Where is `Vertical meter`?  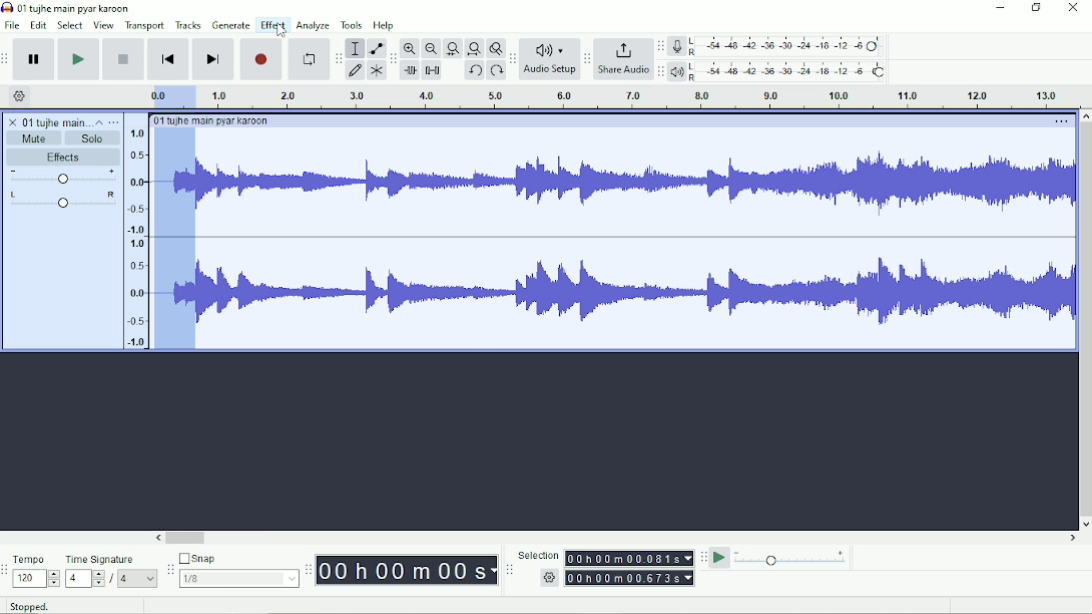
Vertical meter is located at coordinates (133, 237).